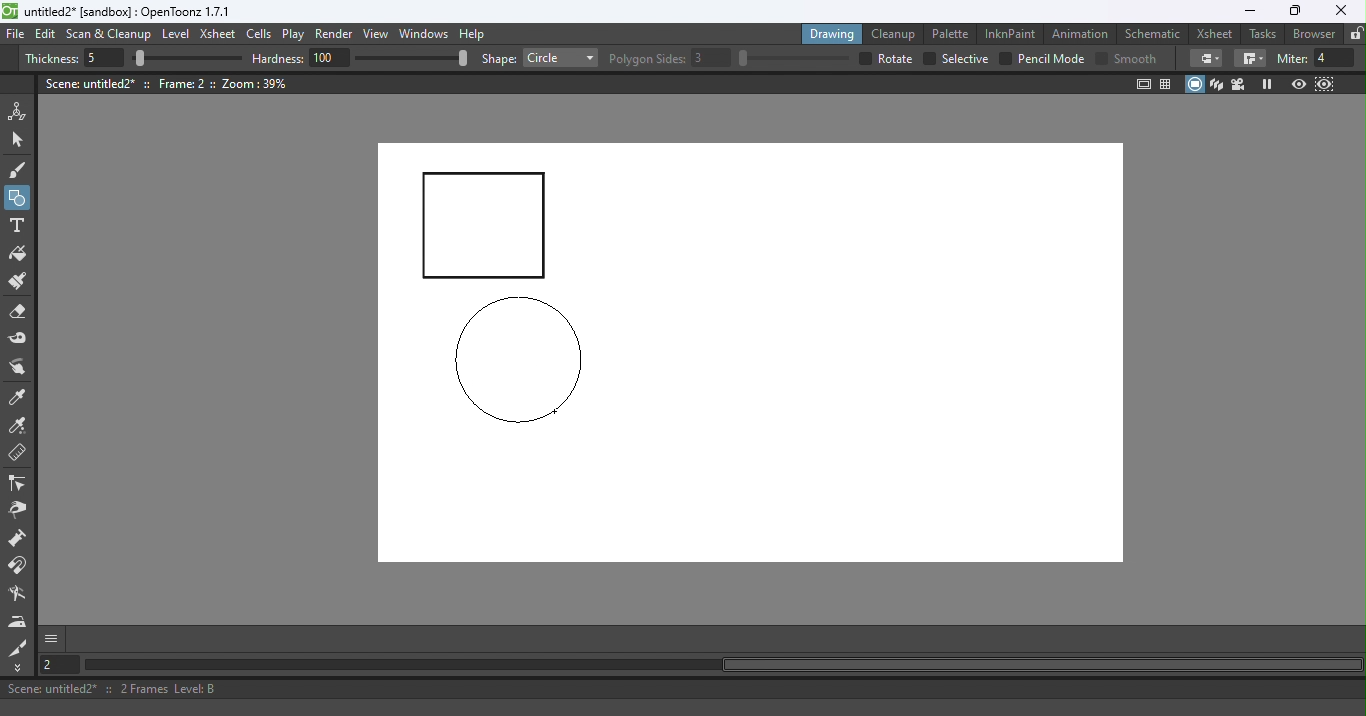  Describe the element at coordinates (22, 169) in the screenshot. I see `Brush tool` at that location.